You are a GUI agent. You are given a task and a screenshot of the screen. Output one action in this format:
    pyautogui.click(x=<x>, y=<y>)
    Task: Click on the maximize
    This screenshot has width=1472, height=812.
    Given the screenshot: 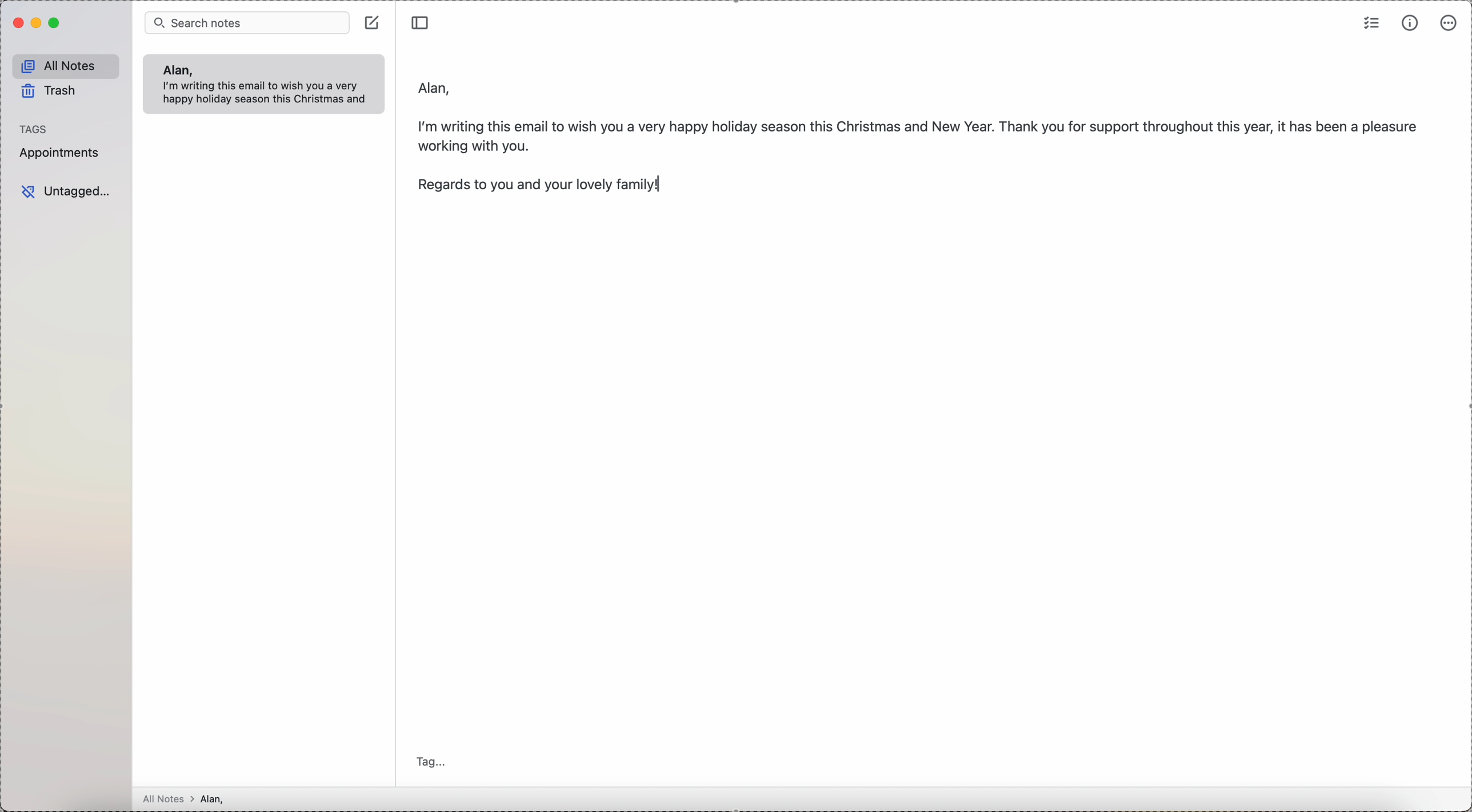 What is the action you would take?
    pyautogui.click(x=56, y=23)
    